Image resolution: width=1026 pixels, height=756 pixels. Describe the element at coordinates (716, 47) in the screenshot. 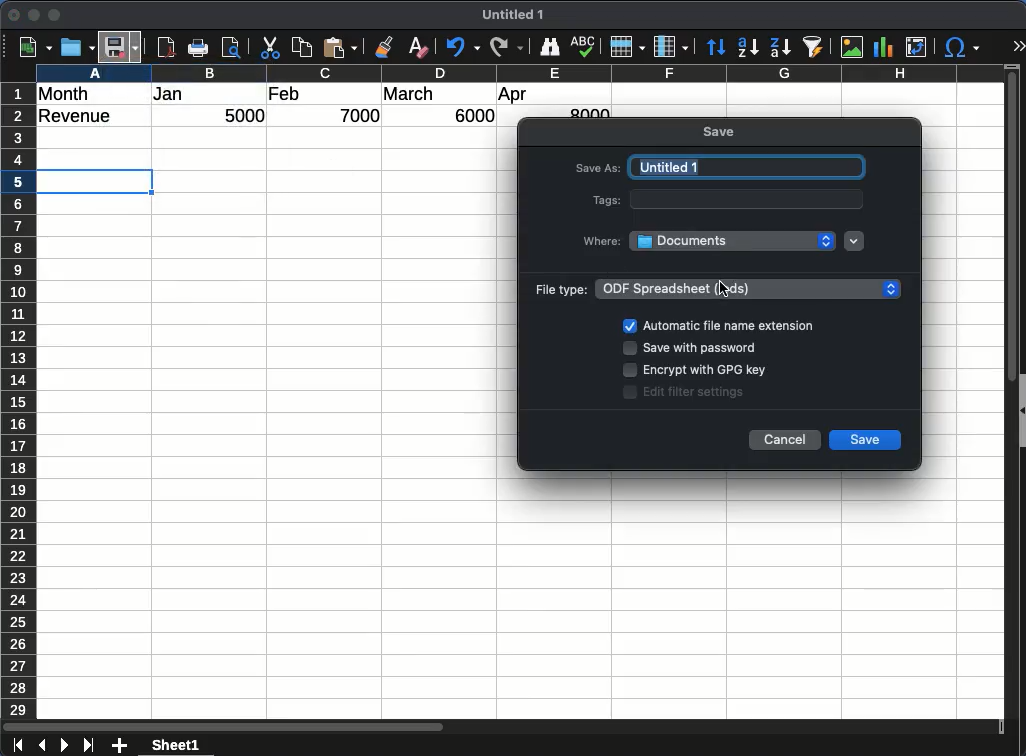

I see `sort` at that location.